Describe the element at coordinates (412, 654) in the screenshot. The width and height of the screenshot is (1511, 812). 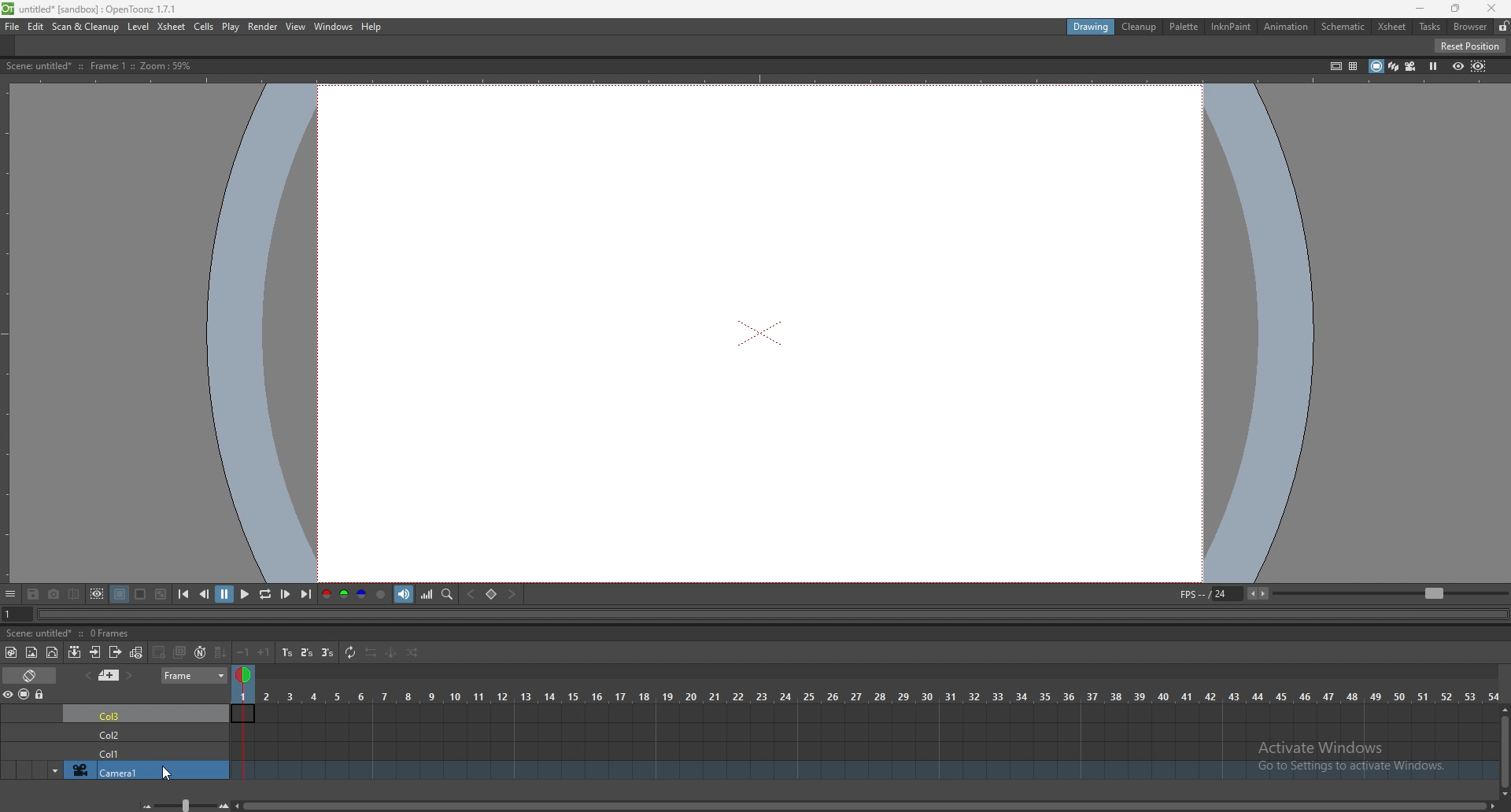
I see `random` at that location.